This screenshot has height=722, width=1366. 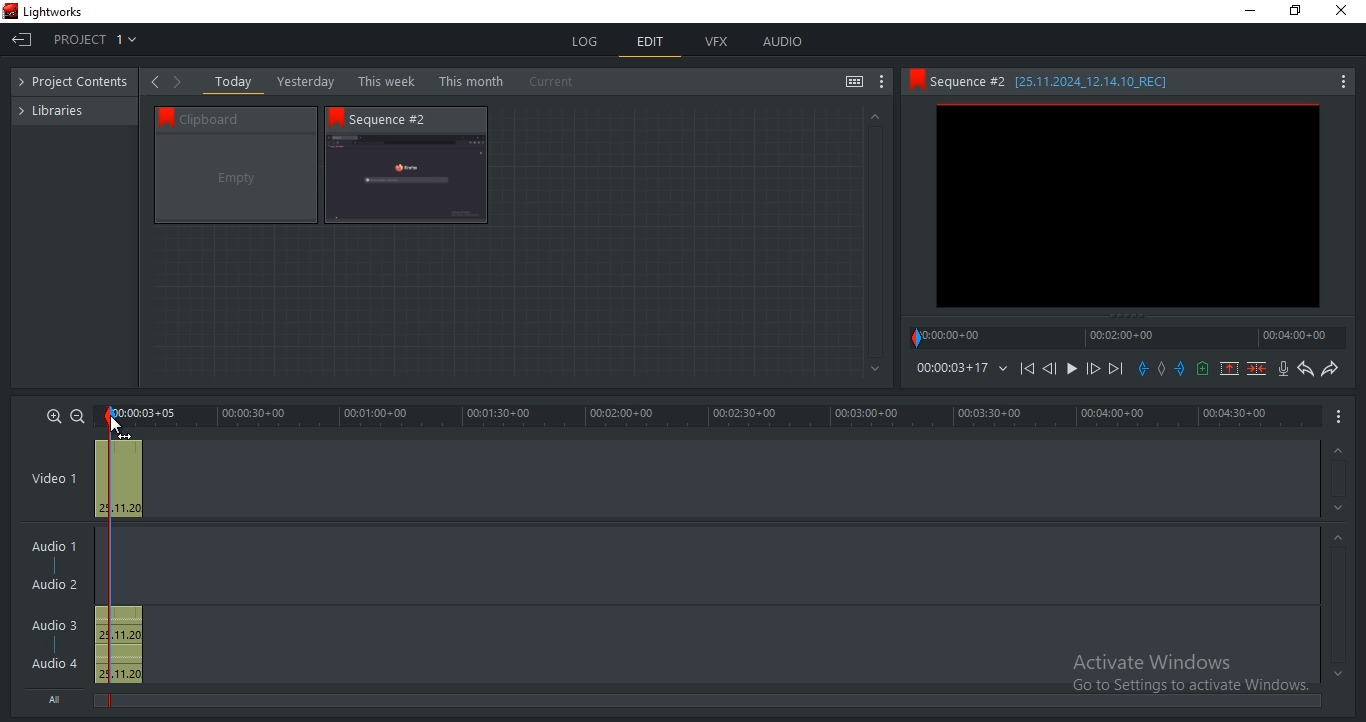 I want to click on Audio 1, so click(x=50, y=548).